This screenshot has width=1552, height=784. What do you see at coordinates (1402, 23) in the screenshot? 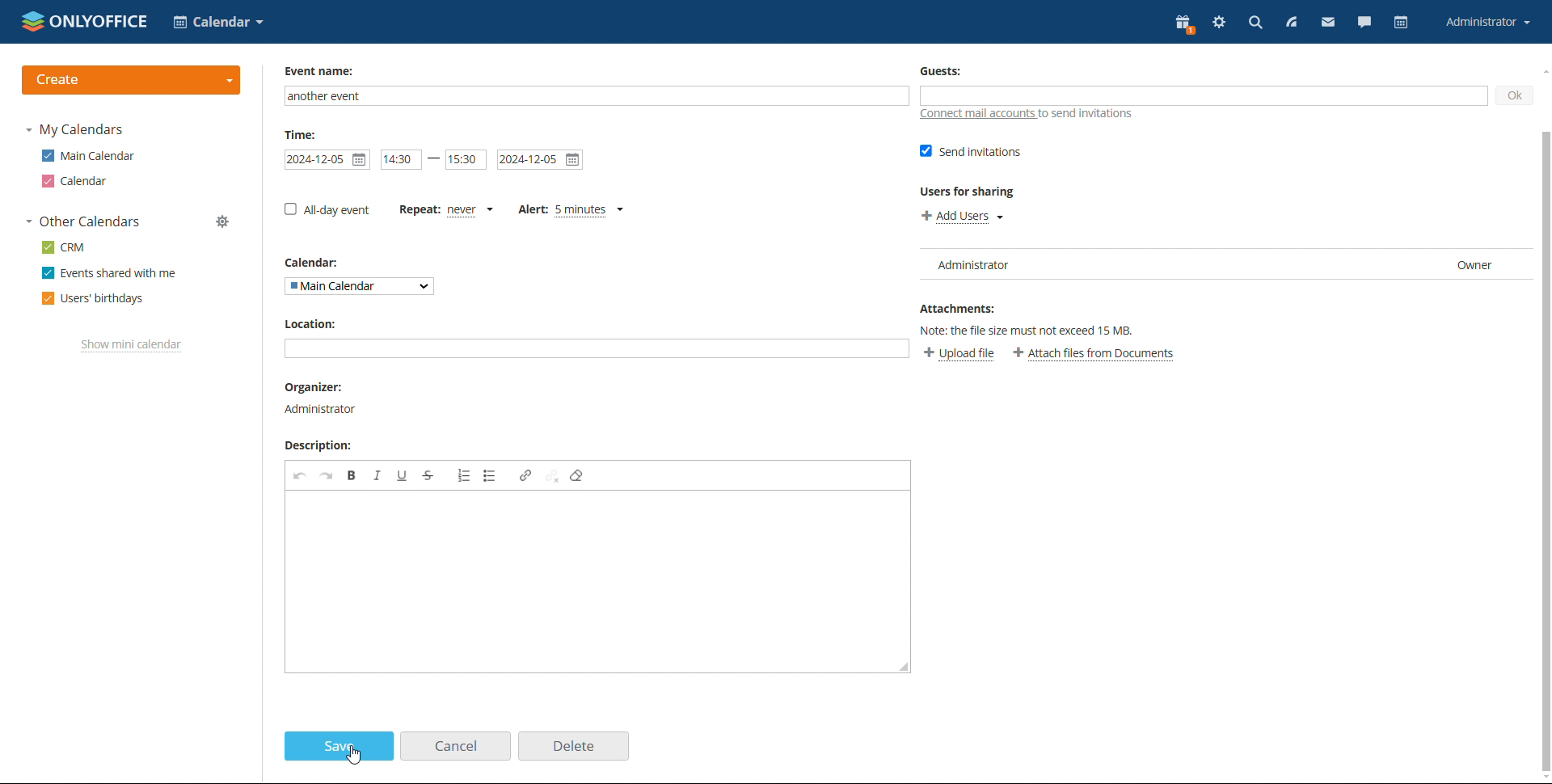
I see `calendar` at bounding box center [1402, 23].